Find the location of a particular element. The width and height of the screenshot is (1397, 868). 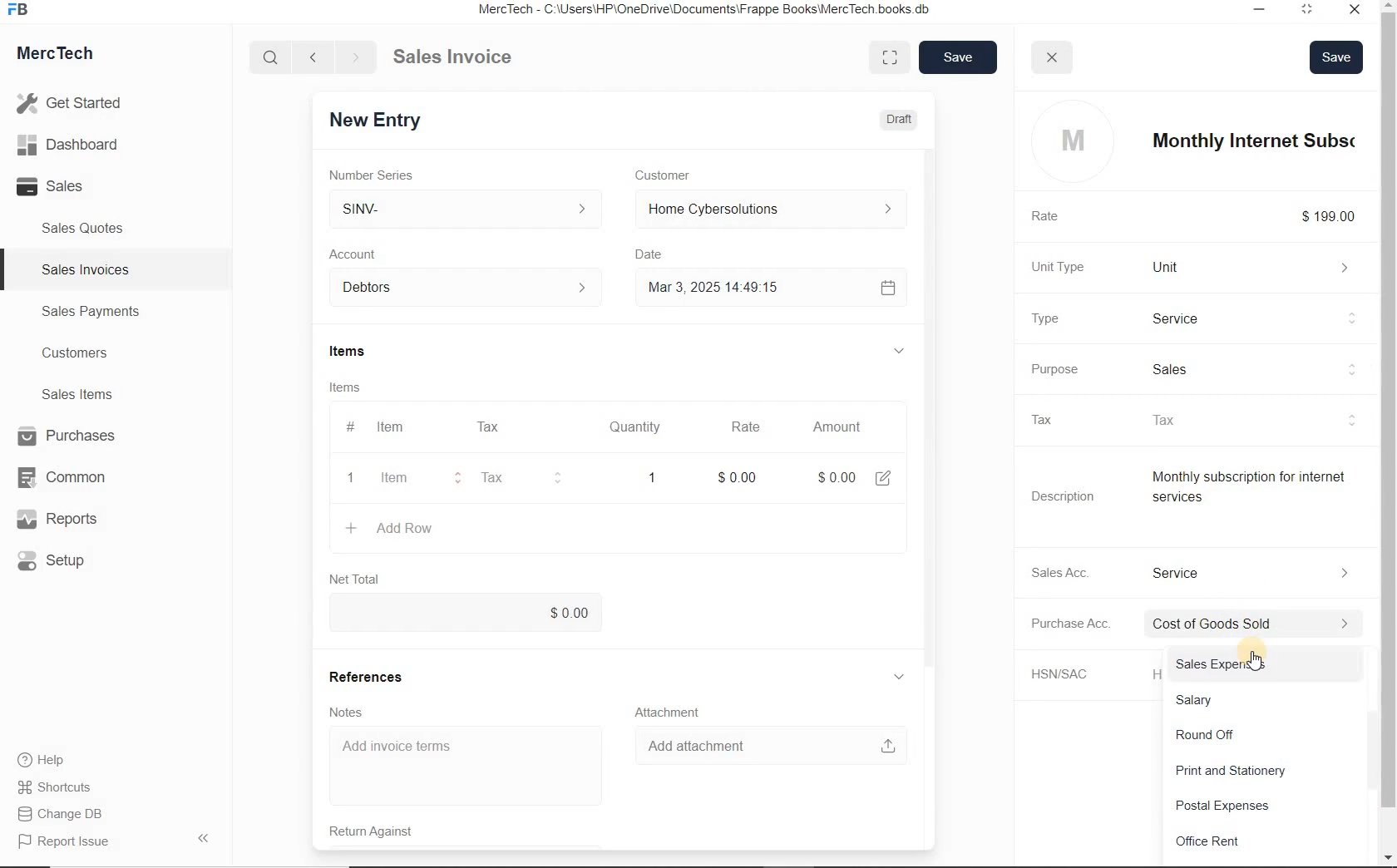

References is located at coordinates (378, 675).